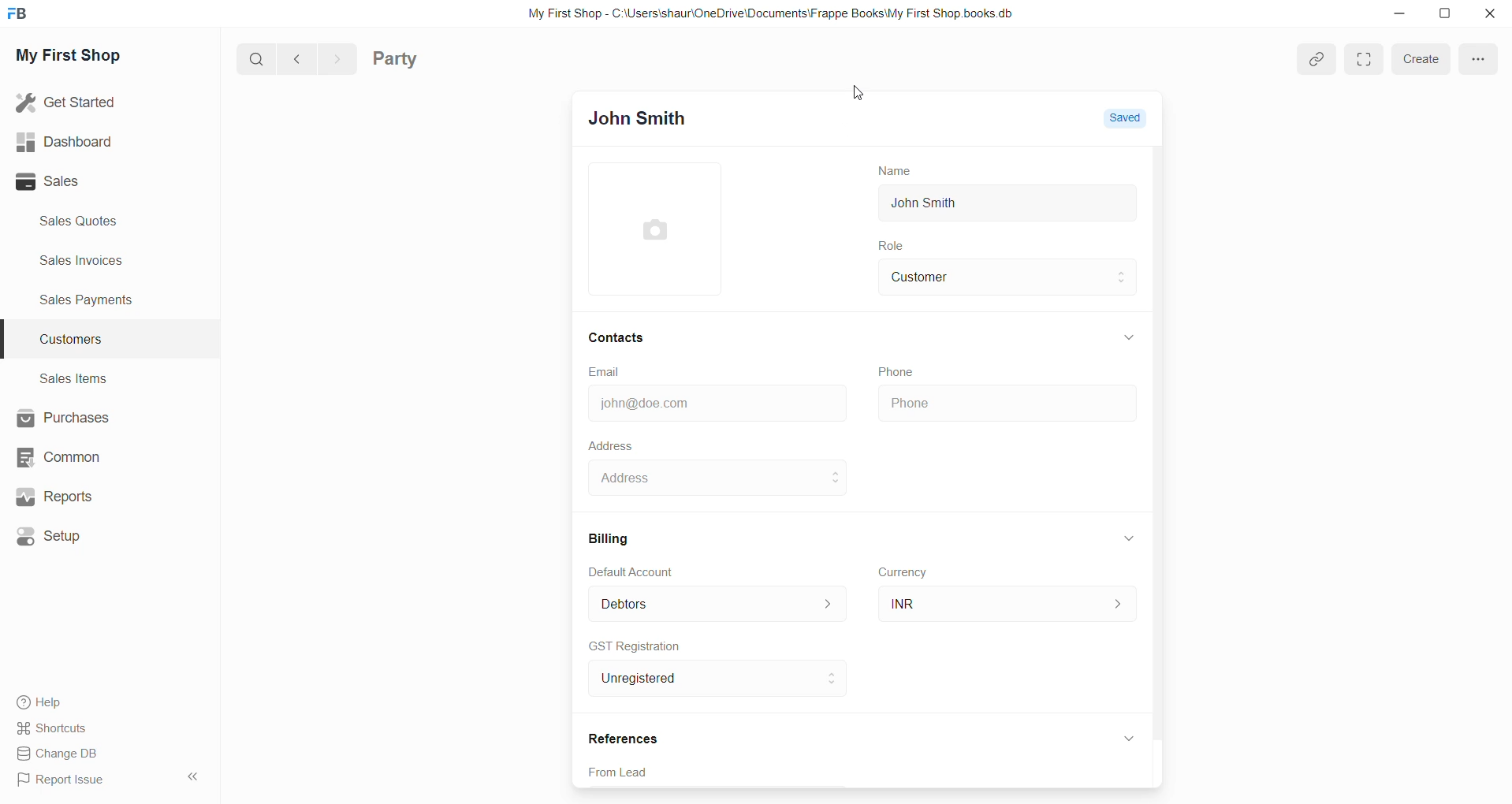 The width and height of the screenshot is (1512, 804). Describe the element at coordinates (935, 204) in the screenshot. I see `John Smith ` at that location.